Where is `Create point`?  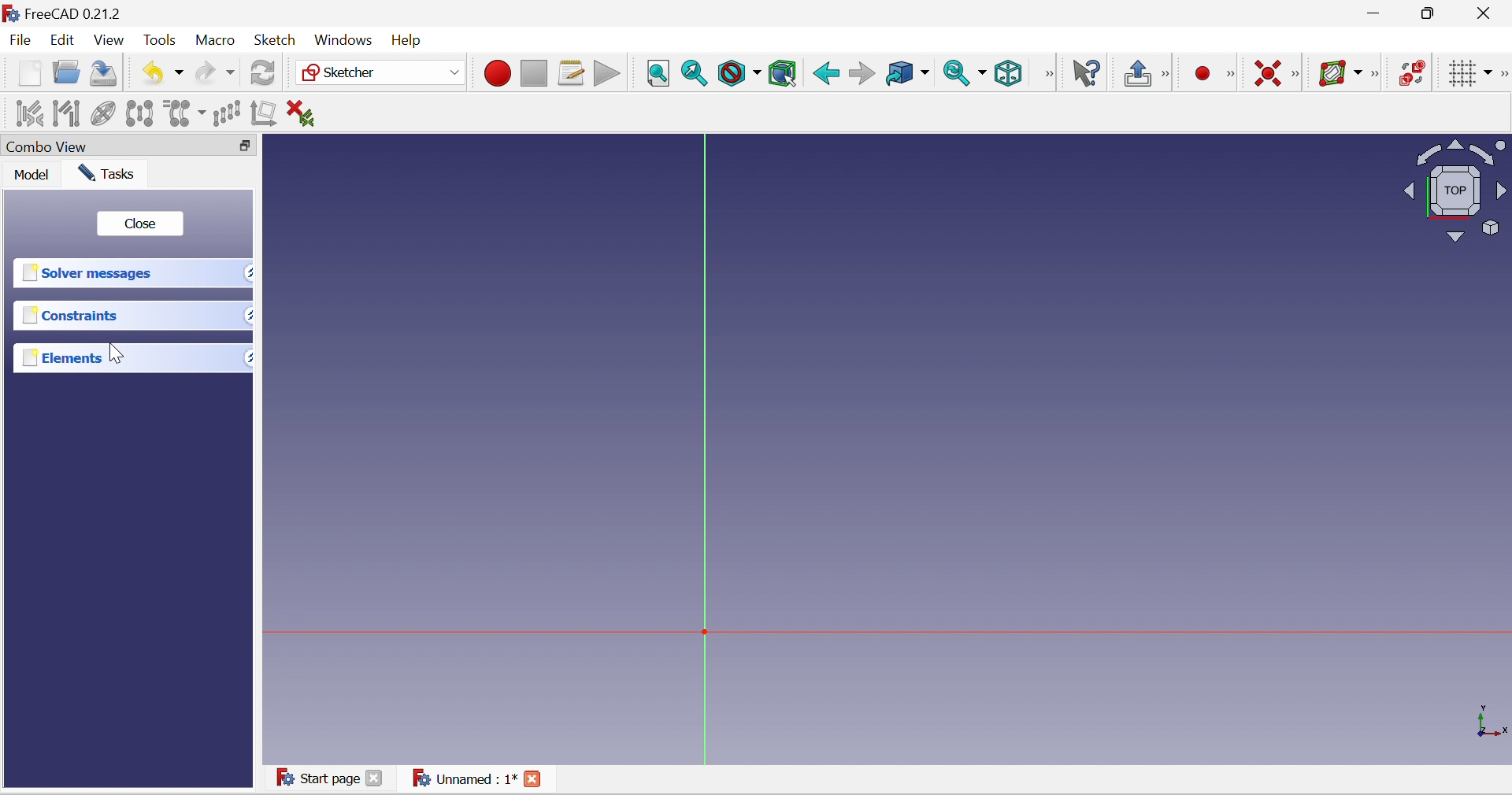 Create point is located at coordinates (1199, 74).